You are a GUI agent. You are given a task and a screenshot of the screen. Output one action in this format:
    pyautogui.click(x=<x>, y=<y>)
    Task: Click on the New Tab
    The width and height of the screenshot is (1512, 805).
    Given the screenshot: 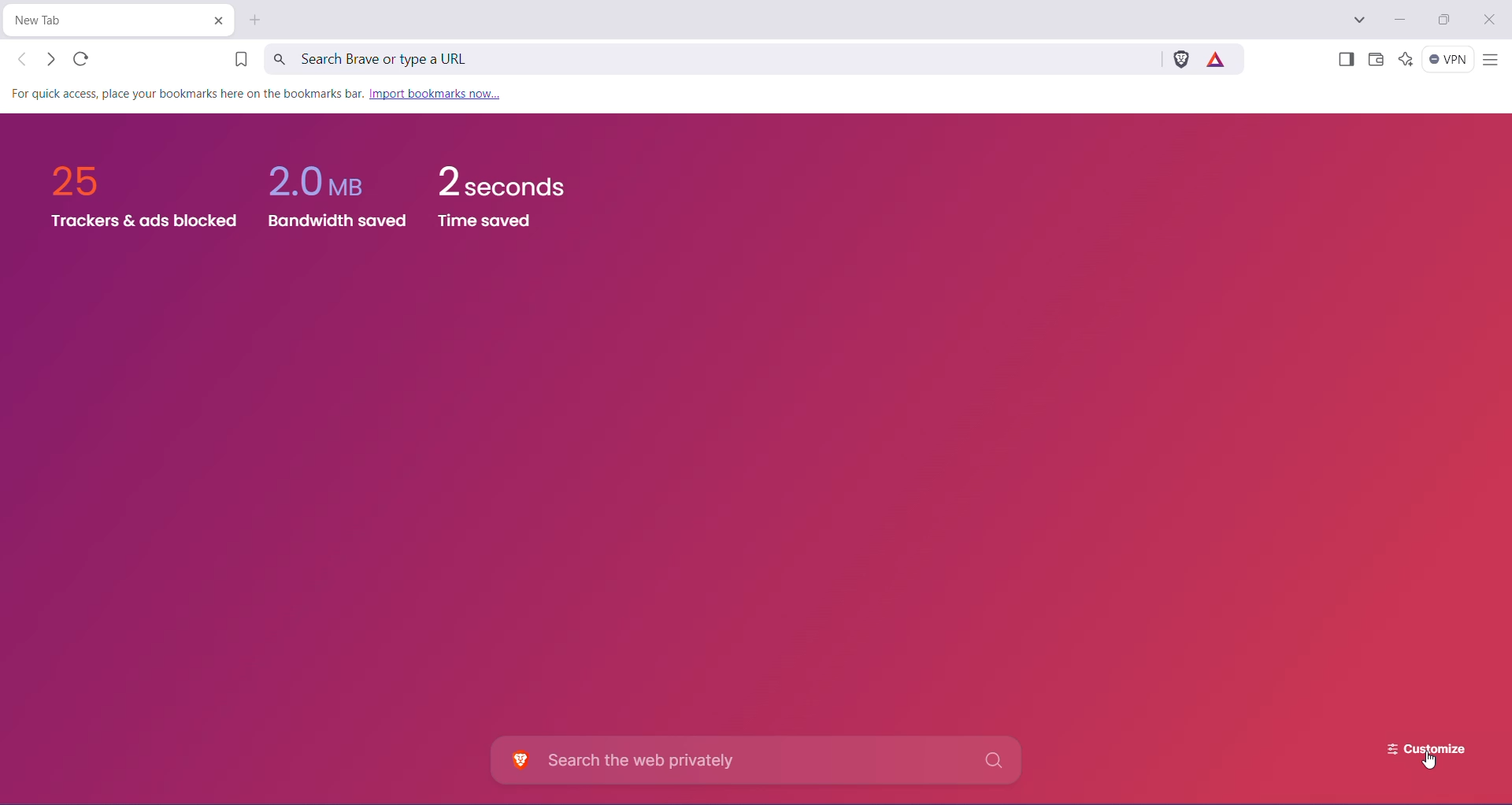 What is the action you would take?
    pyautogui.click(x=257, y=20)
    